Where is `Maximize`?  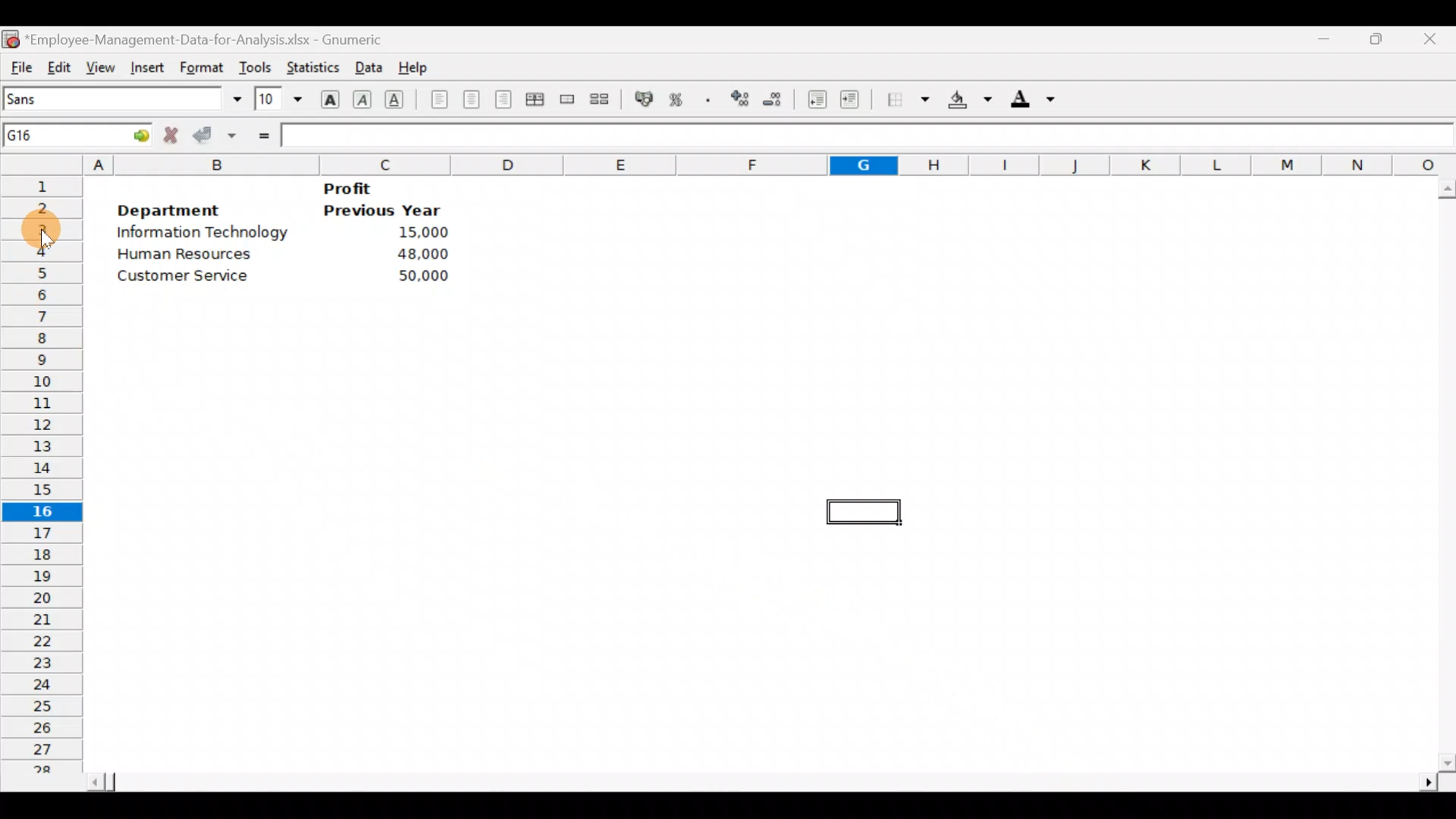
Maximize is located at coordinates (1382, 37).